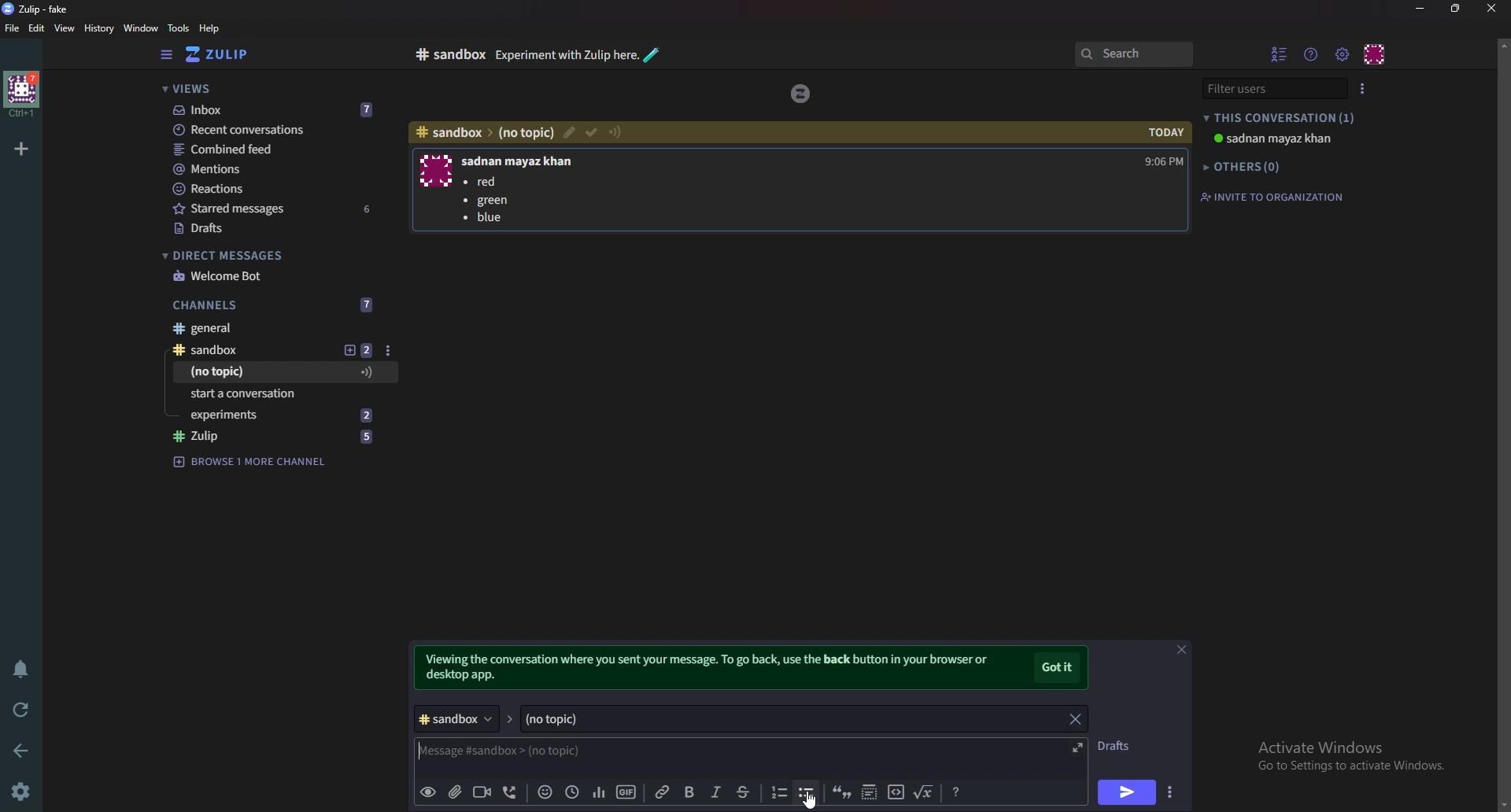 The image size is (1511, 812). Describe the element at coordinates (567, 132) in the screenshot. I see `Edit topic` at that location.